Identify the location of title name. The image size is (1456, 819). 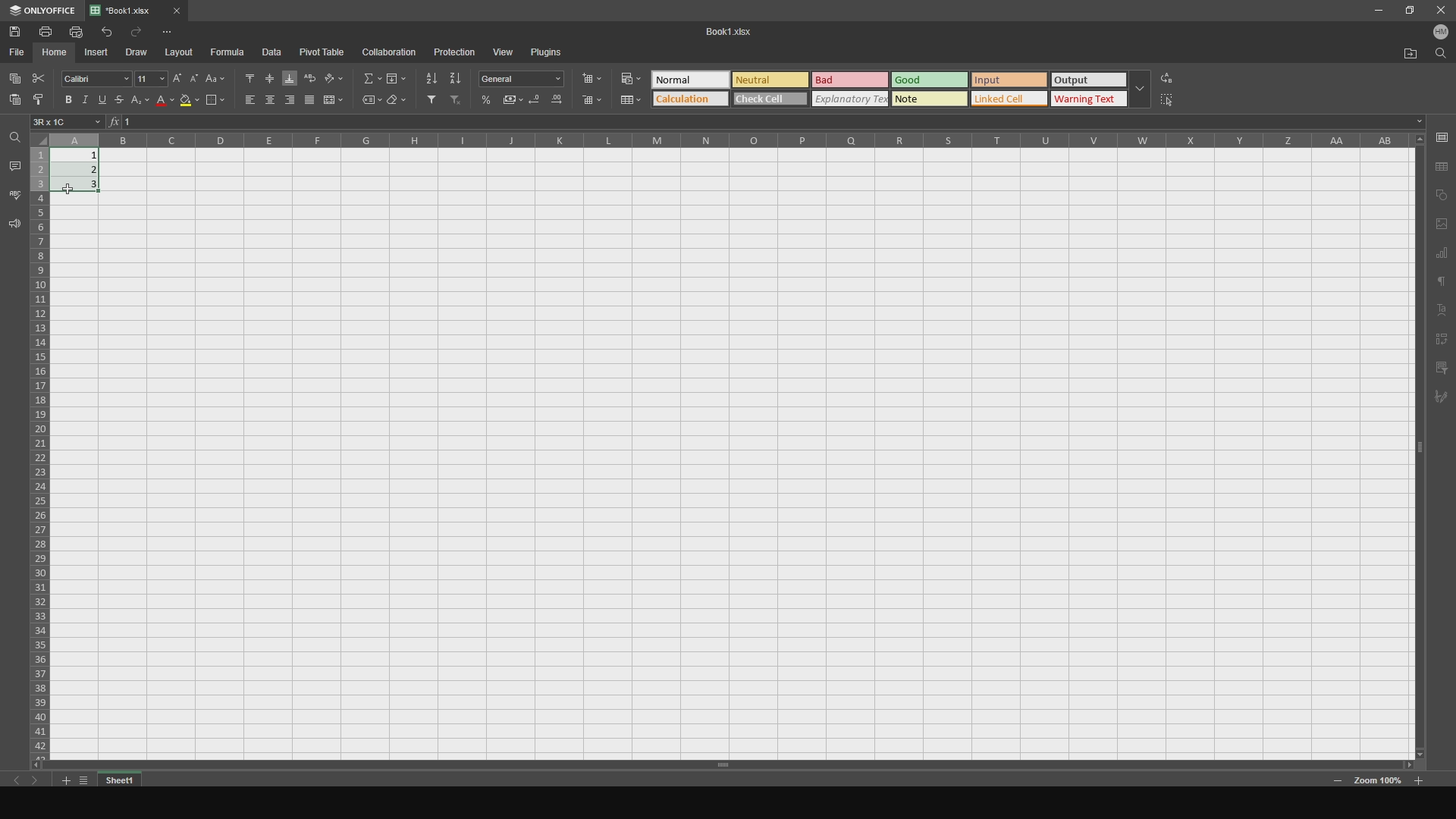
(724, 31).